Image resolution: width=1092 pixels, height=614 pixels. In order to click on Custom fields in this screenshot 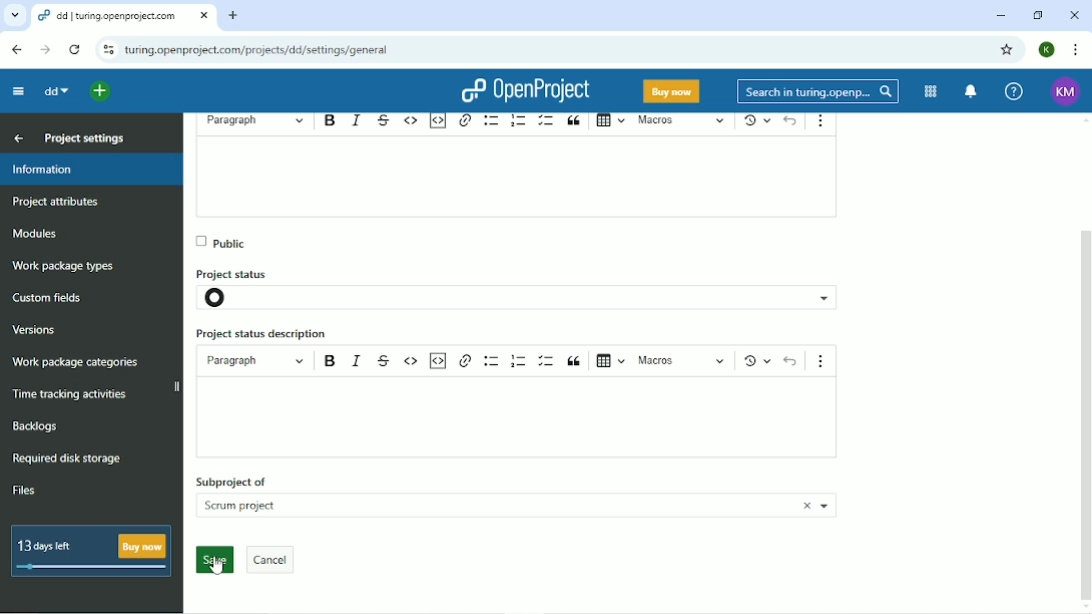, I will do `click(51, 299)`.